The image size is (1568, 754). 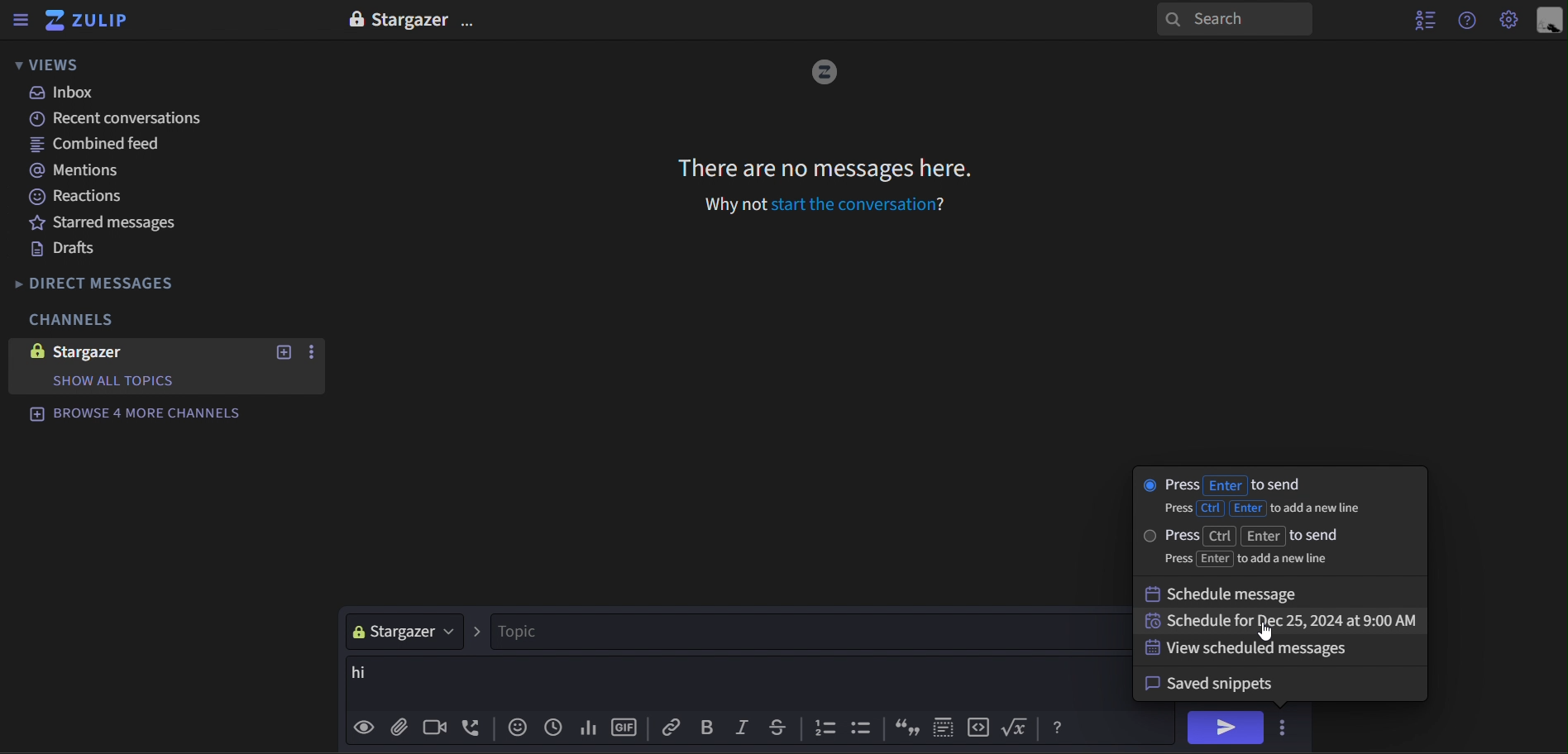 I want to click on starred messages, so click(x=112, y=224).